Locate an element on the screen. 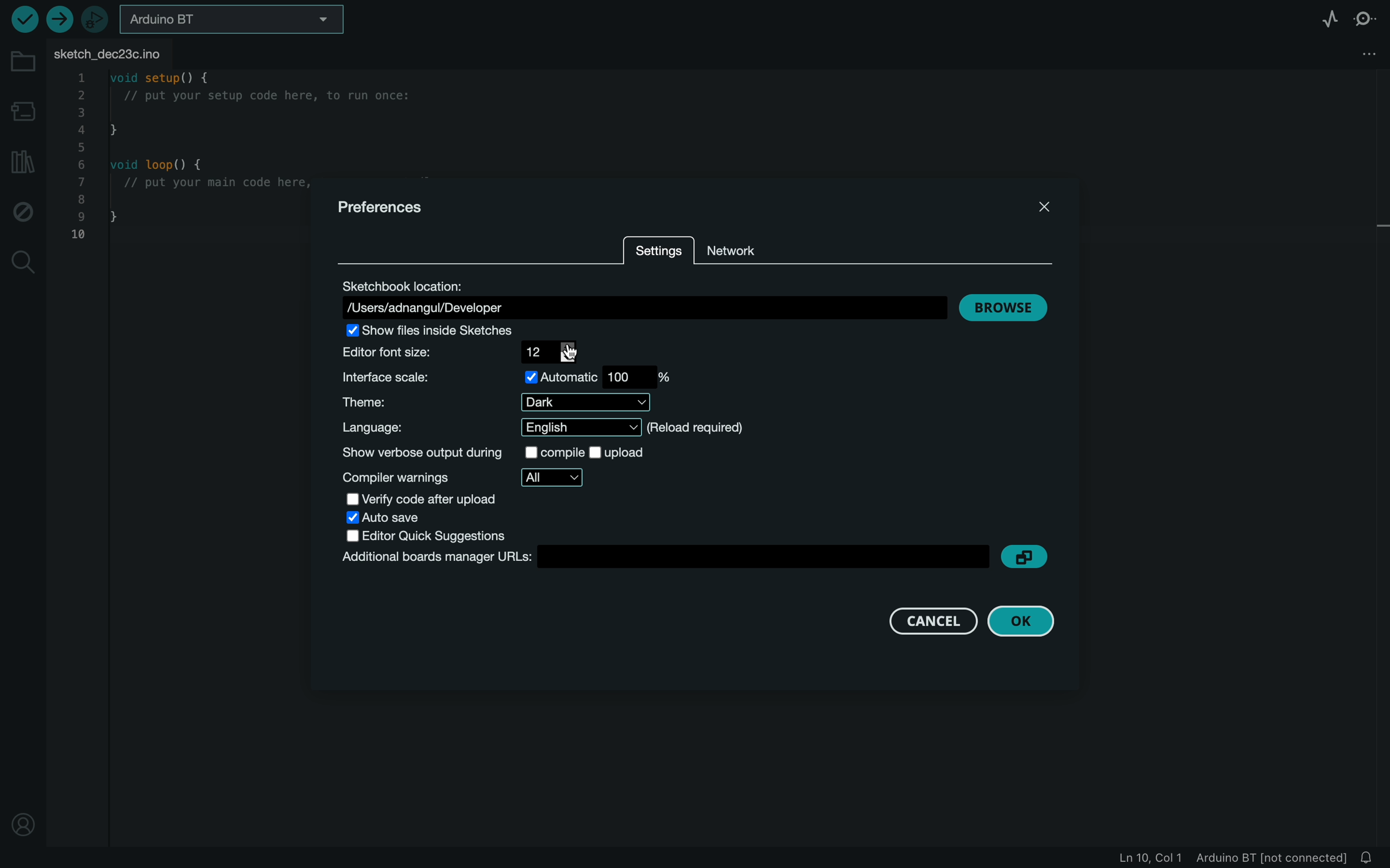 The width and height of the screenshot is (1390, 868). library manager is located at coordinates (23, 160).